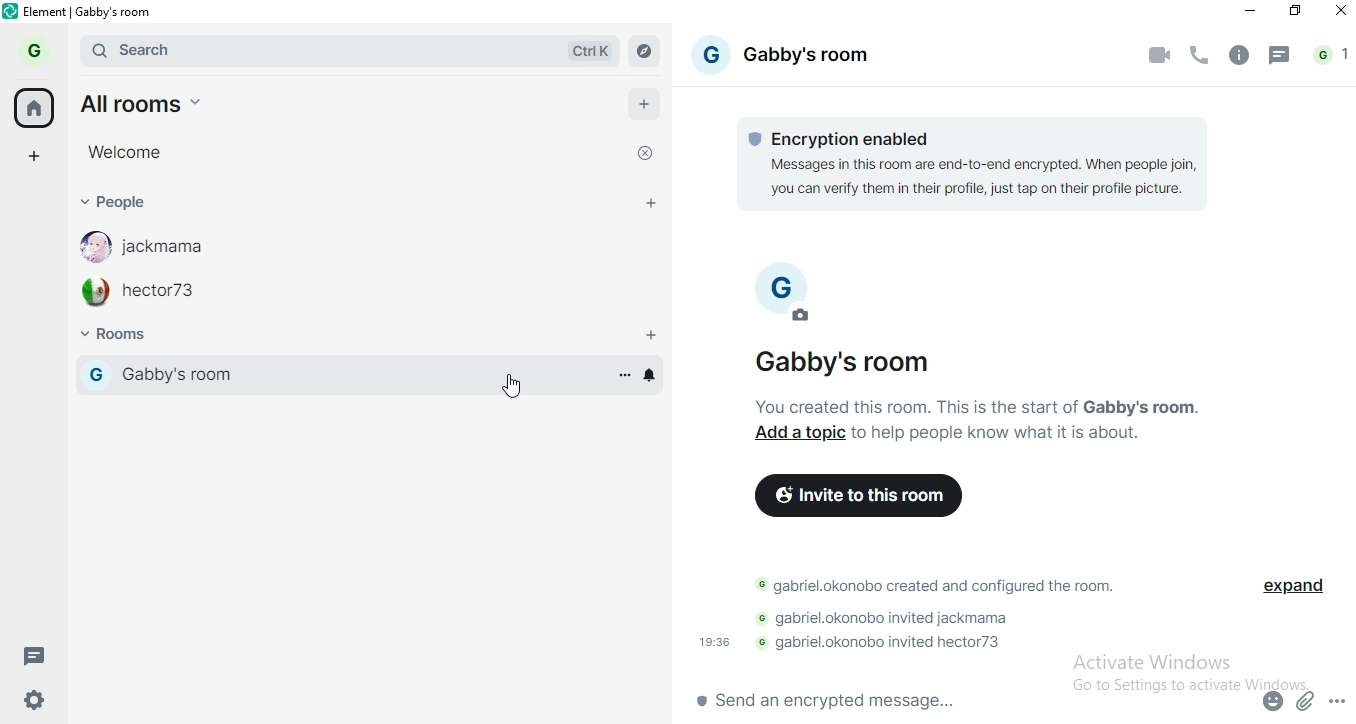  What do you see at coordinates (1250, 14) in the screenshot?
I see `minimise` at bounding box center [1250, 14].